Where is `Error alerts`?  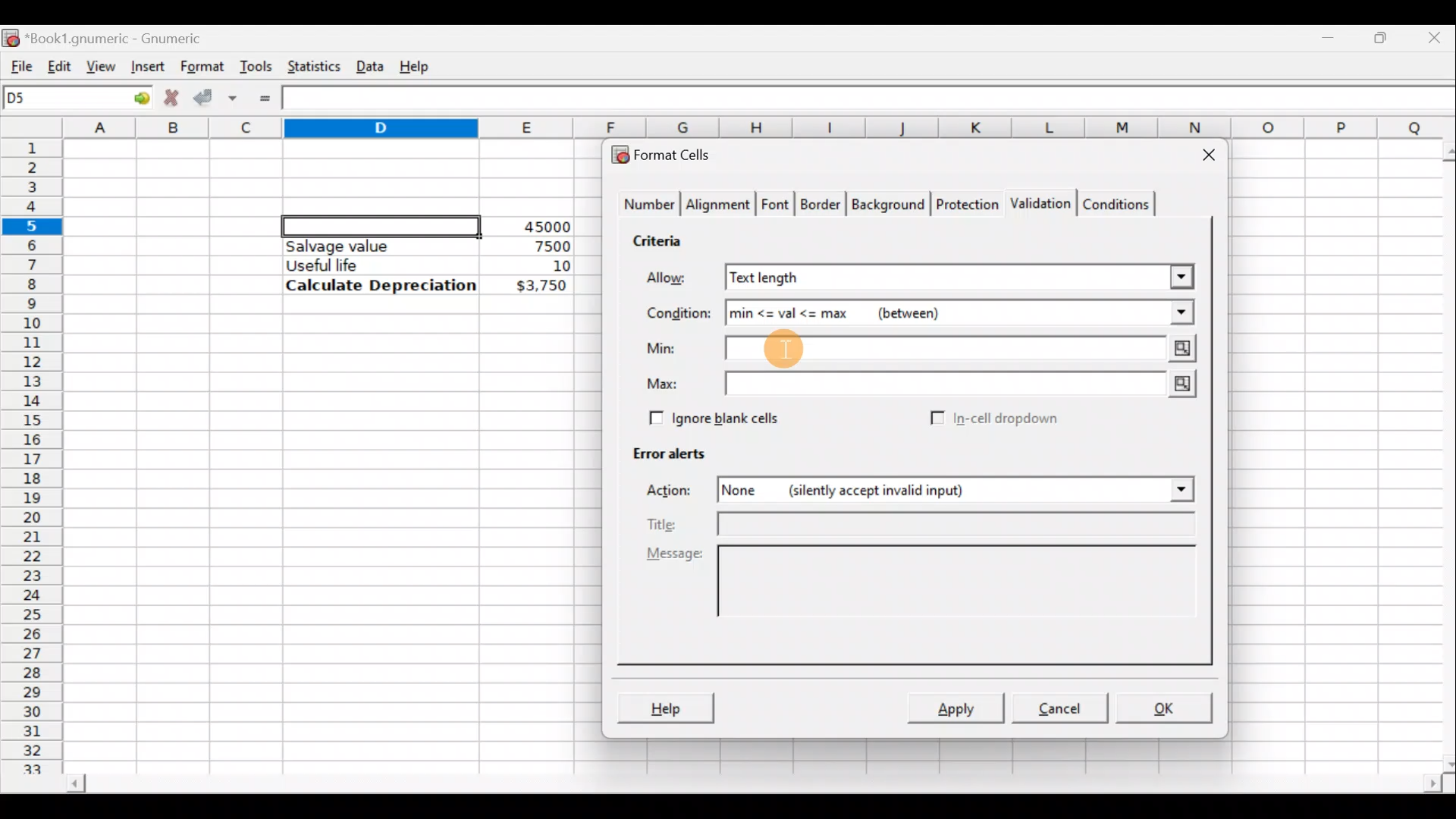
Error alerts is located at coordinates (661, 450).